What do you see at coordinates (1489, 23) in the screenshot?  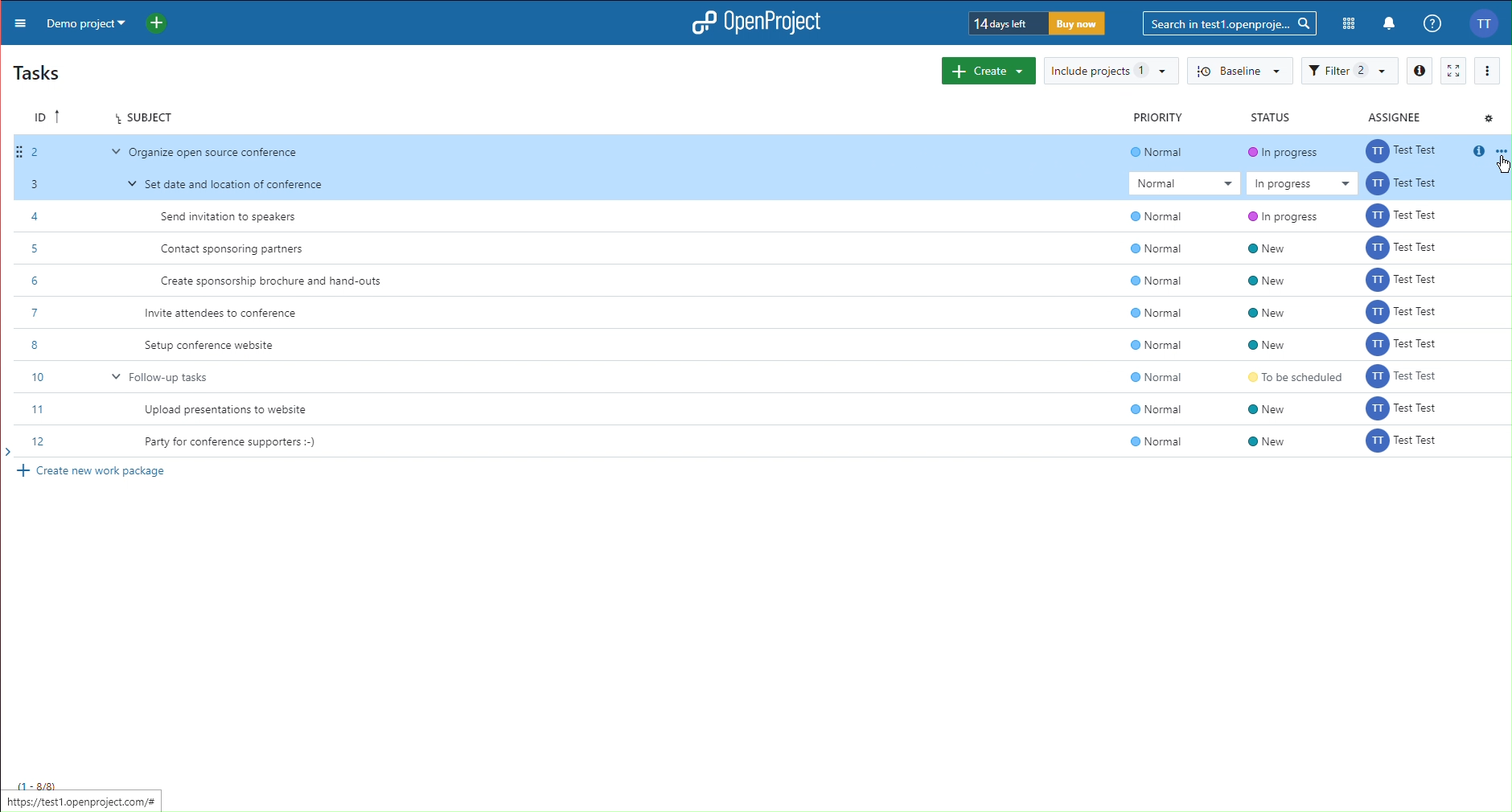 I see `Account` at bounding box center [1489, 23].